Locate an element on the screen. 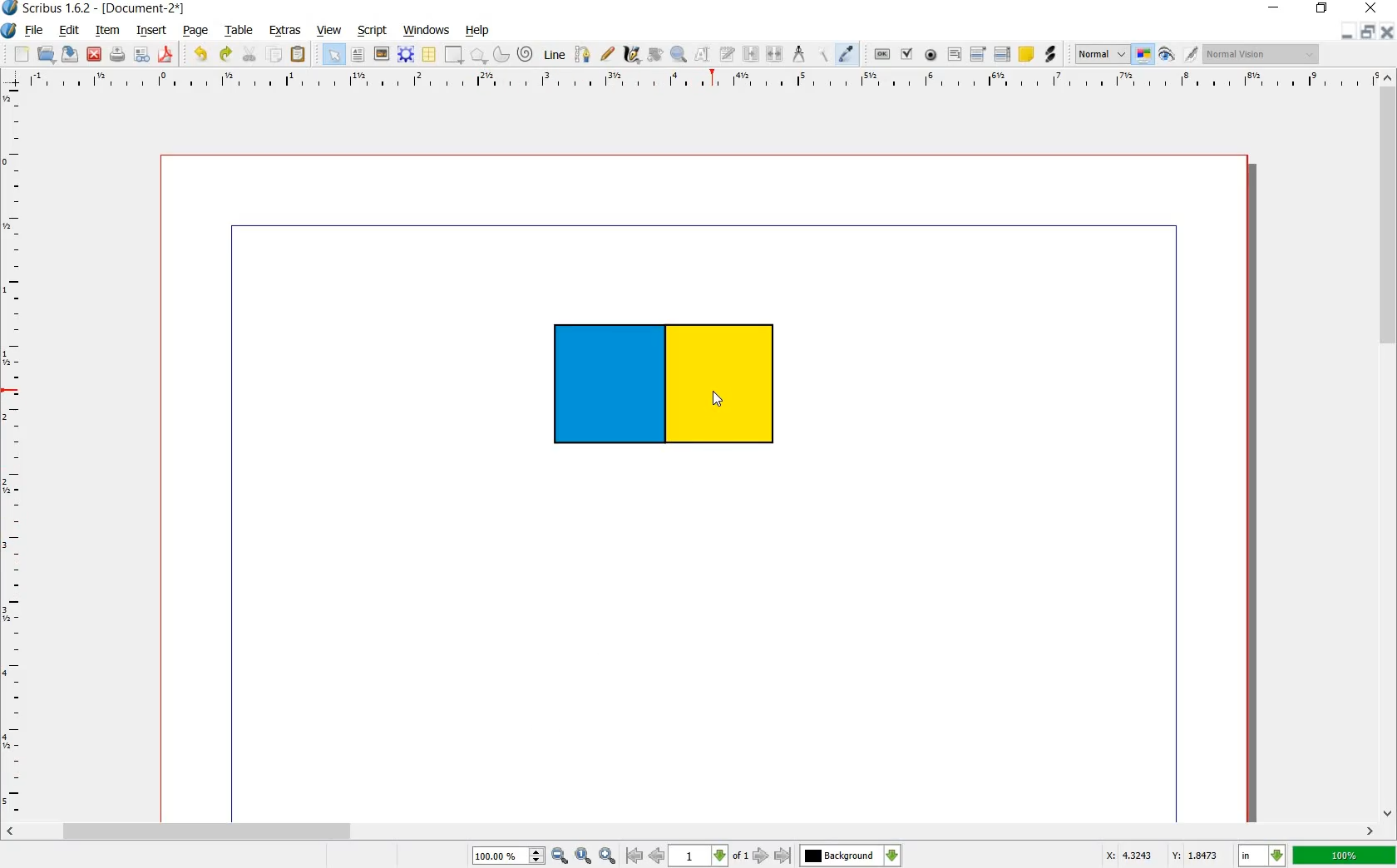 The image size is (1397, 868). measurement is located at coordinates (800, 55).